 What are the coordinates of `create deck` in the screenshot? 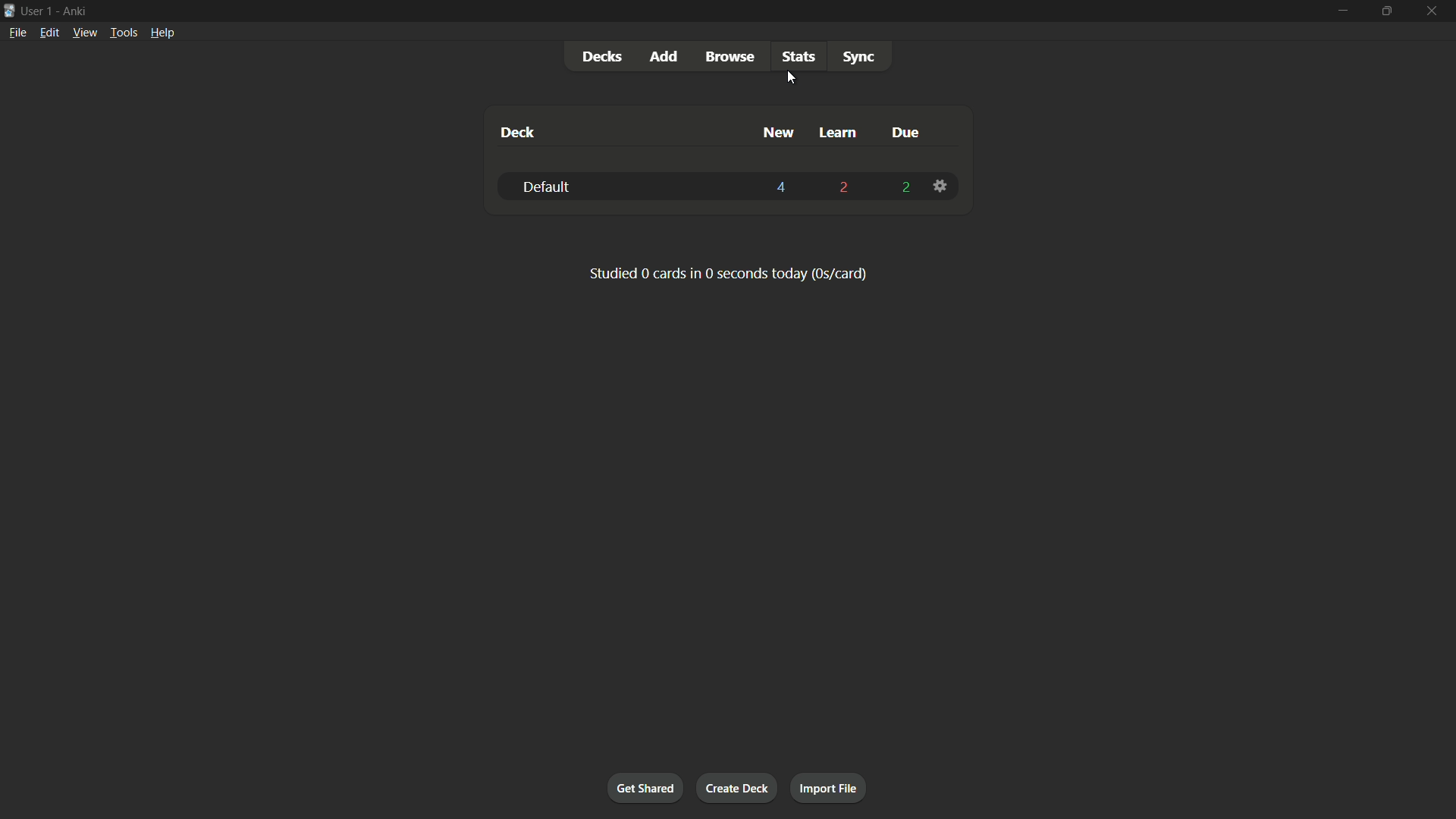 It's located at (739, 789).